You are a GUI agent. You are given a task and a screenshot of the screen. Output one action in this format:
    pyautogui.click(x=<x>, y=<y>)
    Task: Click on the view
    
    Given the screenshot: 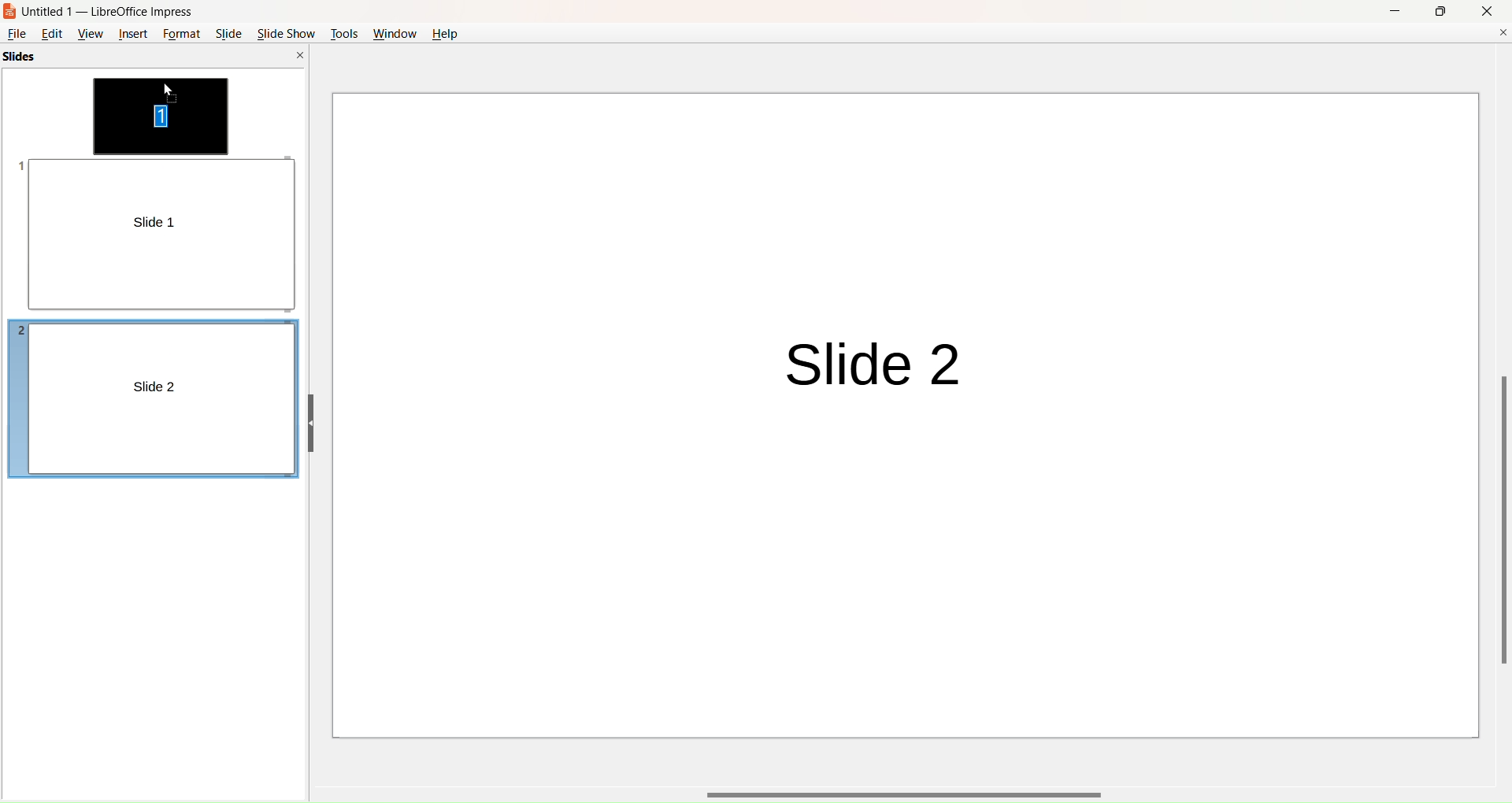 What is the action you would take?
    pyautogui.click(x=90, y=34)
    